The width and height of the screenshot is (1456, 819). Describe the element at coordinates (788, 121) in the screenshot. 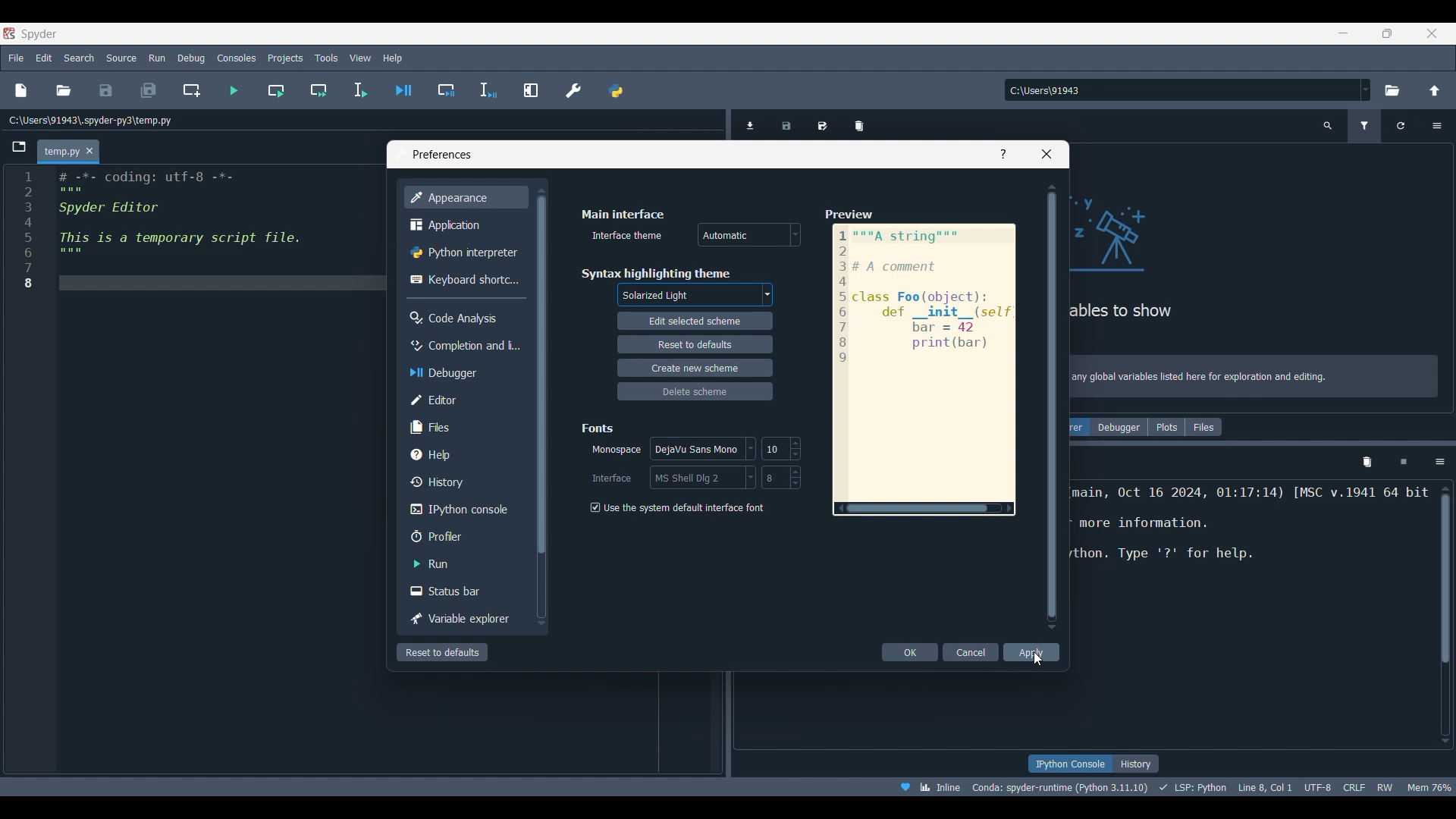

I see `Save data` at that location.